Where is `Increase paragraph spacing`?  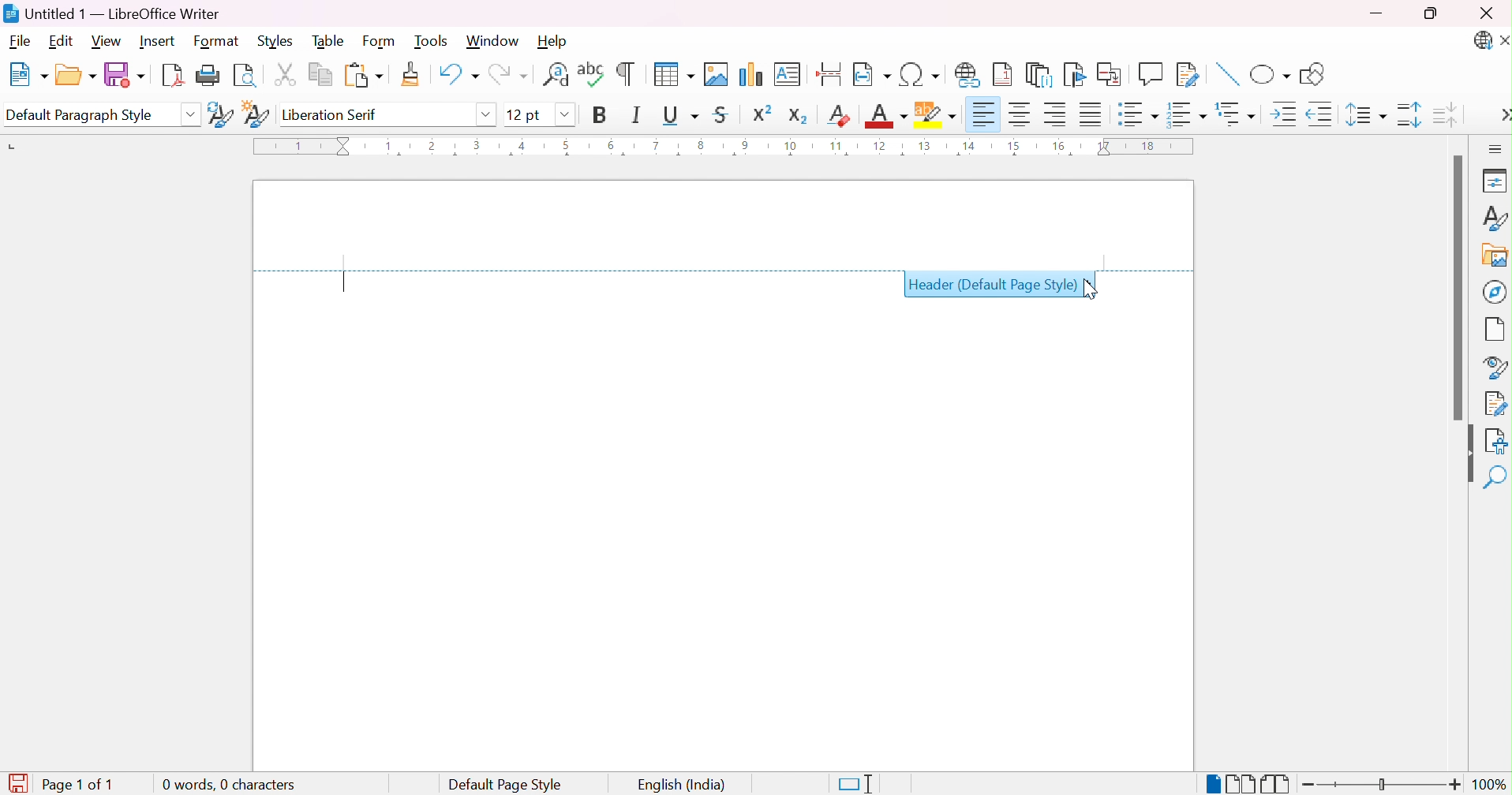
Increase paragraph spacing is located at coordinates (1408, 114).